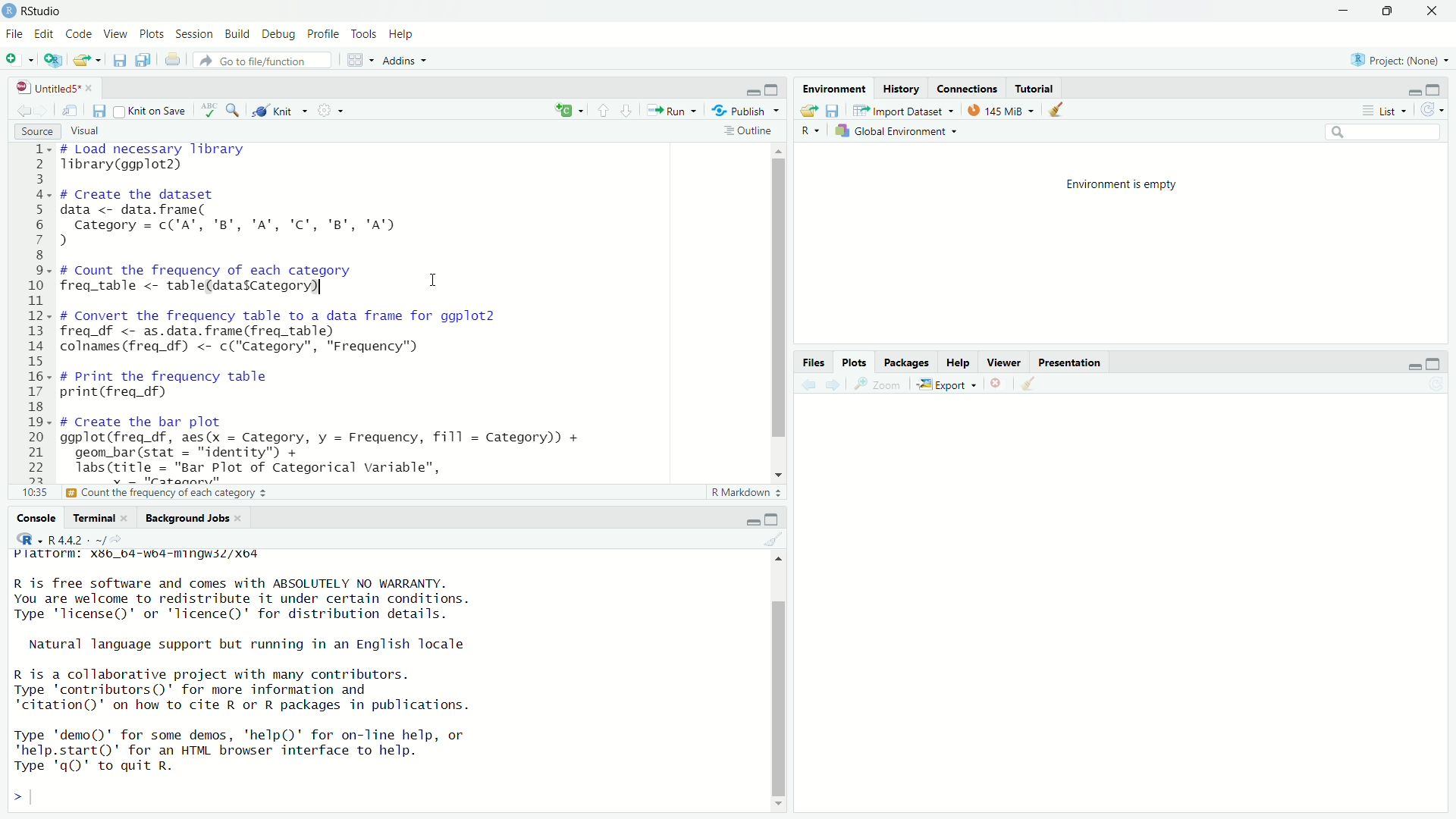 The image size is (1456, 819). I want to click on code, so click(79, 32).